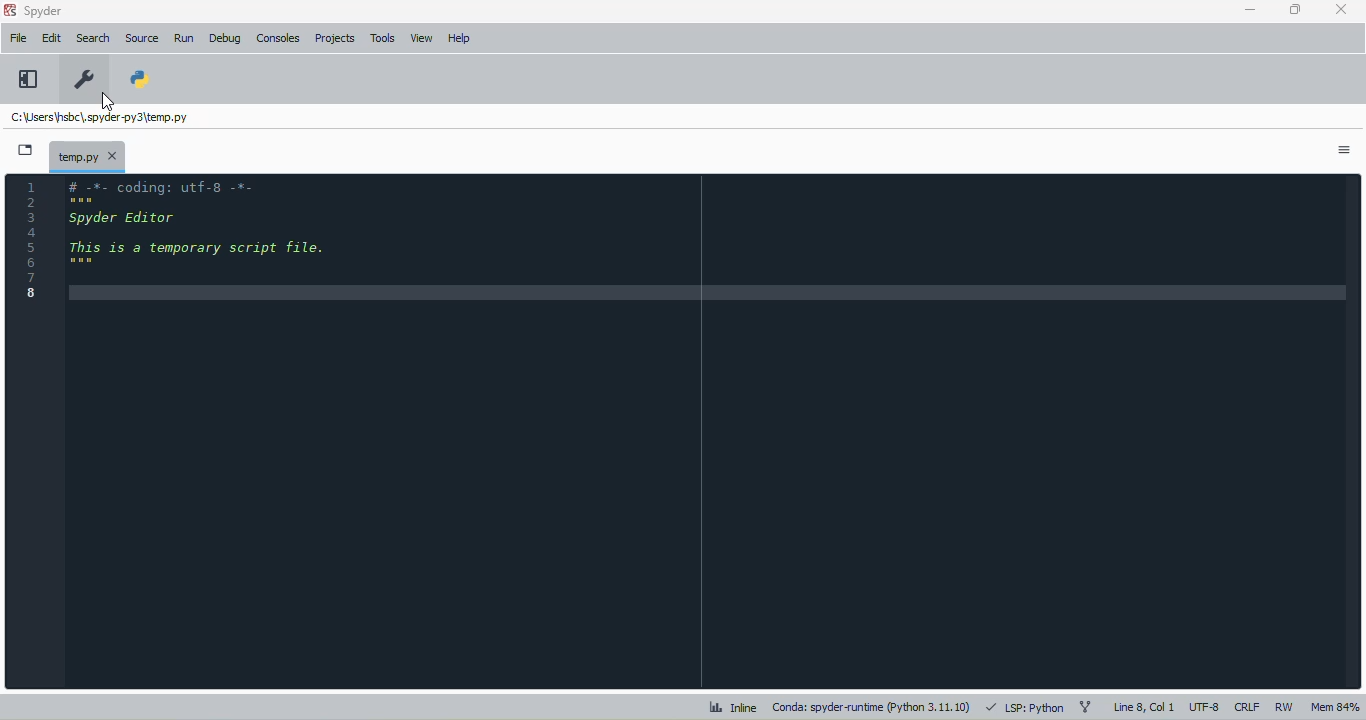 The width and height of the screenshot is (1366, 720). What do you see at coordinates (184, 38) in the screenshot?
I see `run` at bounding box center [184, 38].